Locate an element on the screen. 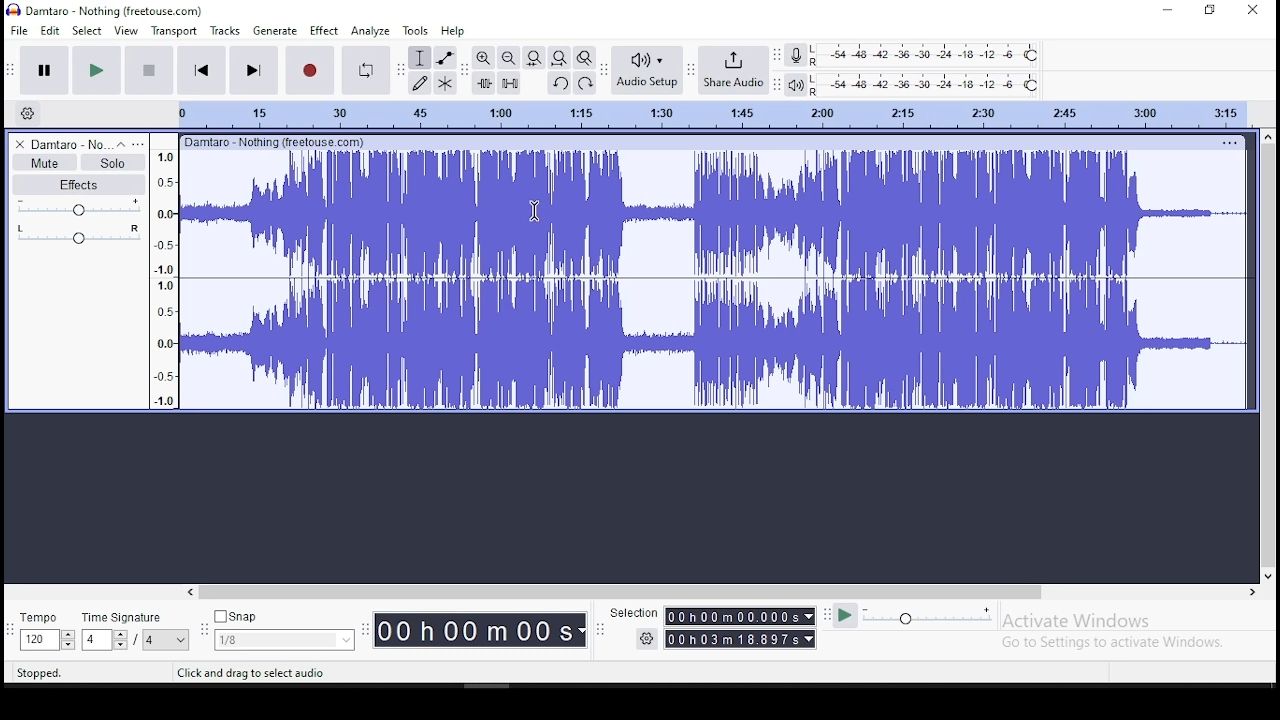 The width and height of the screenshot is (1280, 720). help is located at coordinates (452, 30).